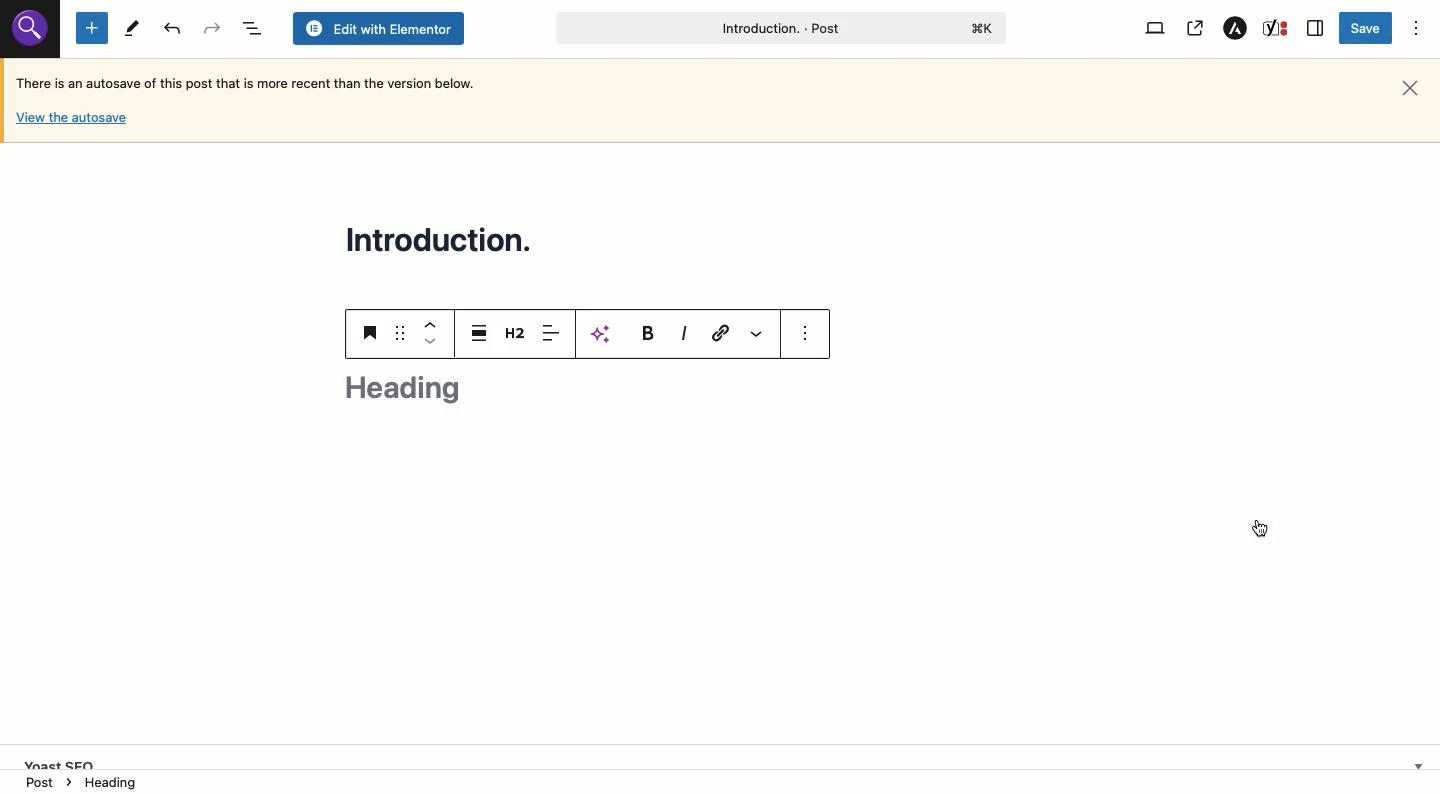  What do you see at coordinates (71, 121) in the screenshot?
I see `View autosave` at bounding box center [71, 121].